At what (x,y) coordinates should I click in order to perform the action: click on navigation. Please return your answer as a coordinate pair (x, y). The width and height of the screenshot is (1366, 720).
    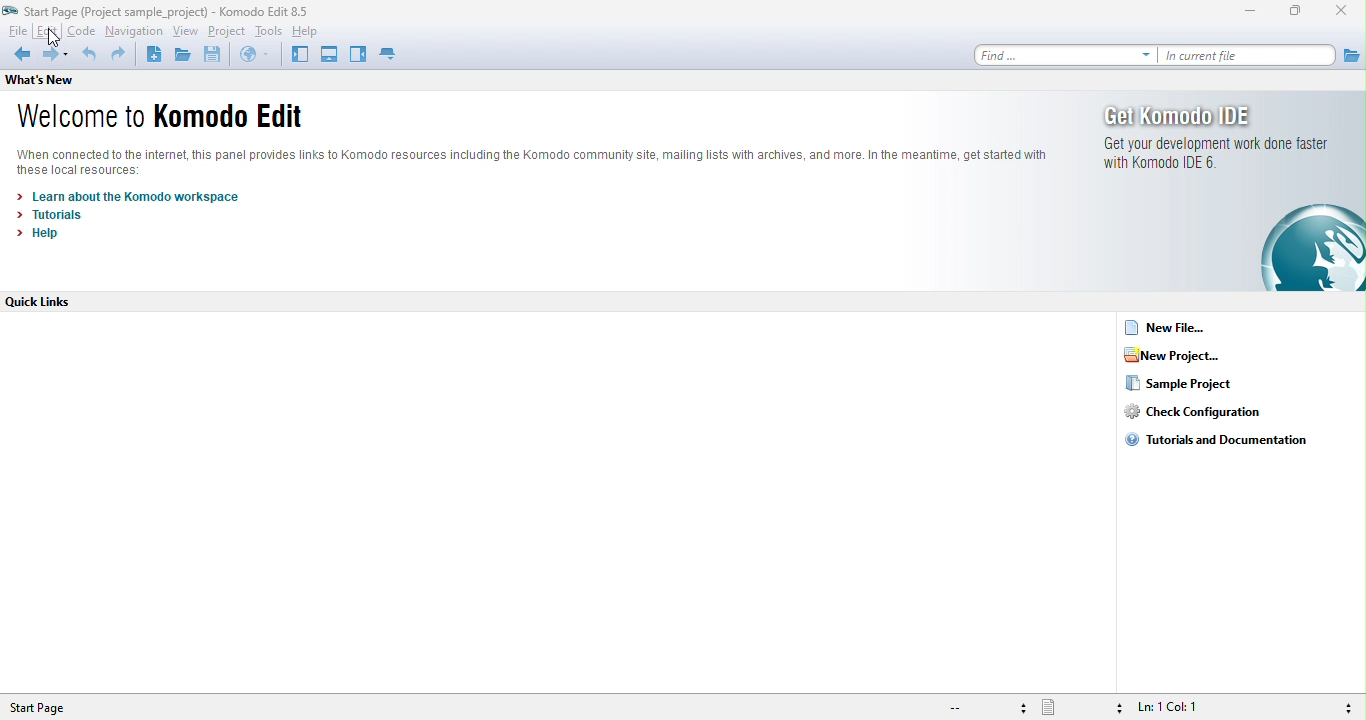
    Looking at the image, I should click on (134, 32).